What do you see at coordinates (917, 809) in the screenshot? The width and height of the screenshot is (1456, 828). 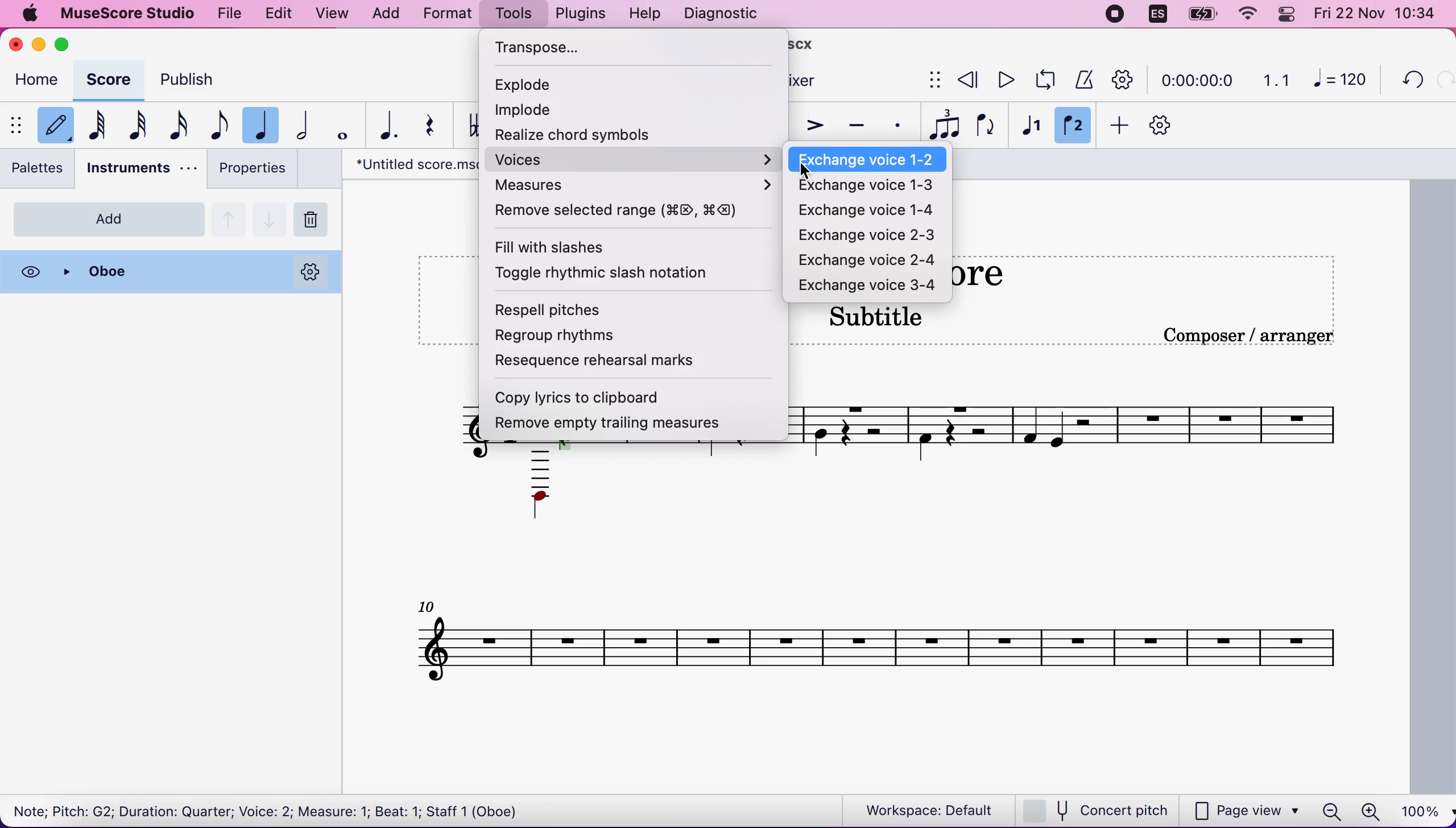 I see `workspace: default` at bounding box center [917, 809].